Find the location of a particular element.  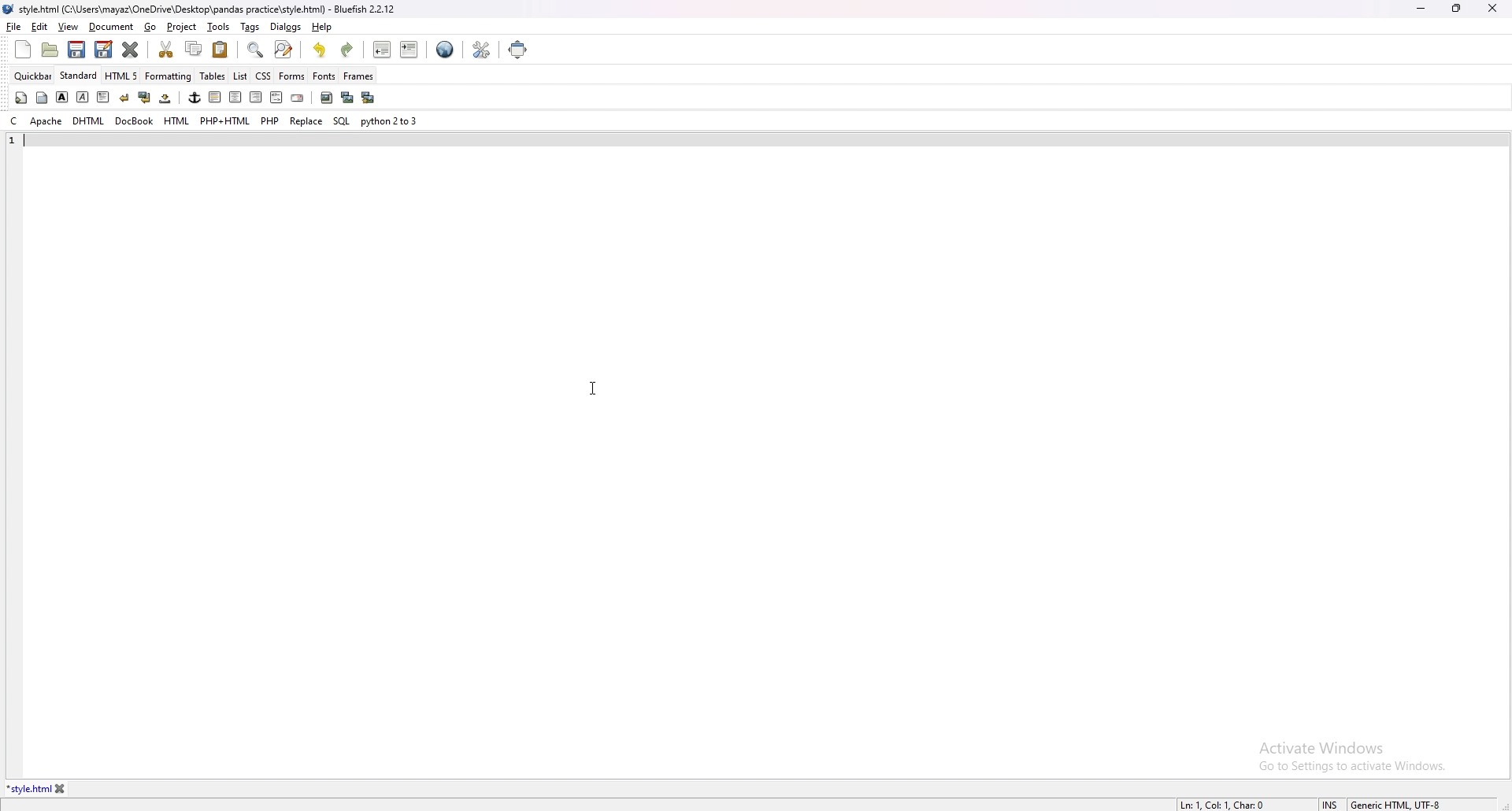

center is located at coordinates (235, 98).